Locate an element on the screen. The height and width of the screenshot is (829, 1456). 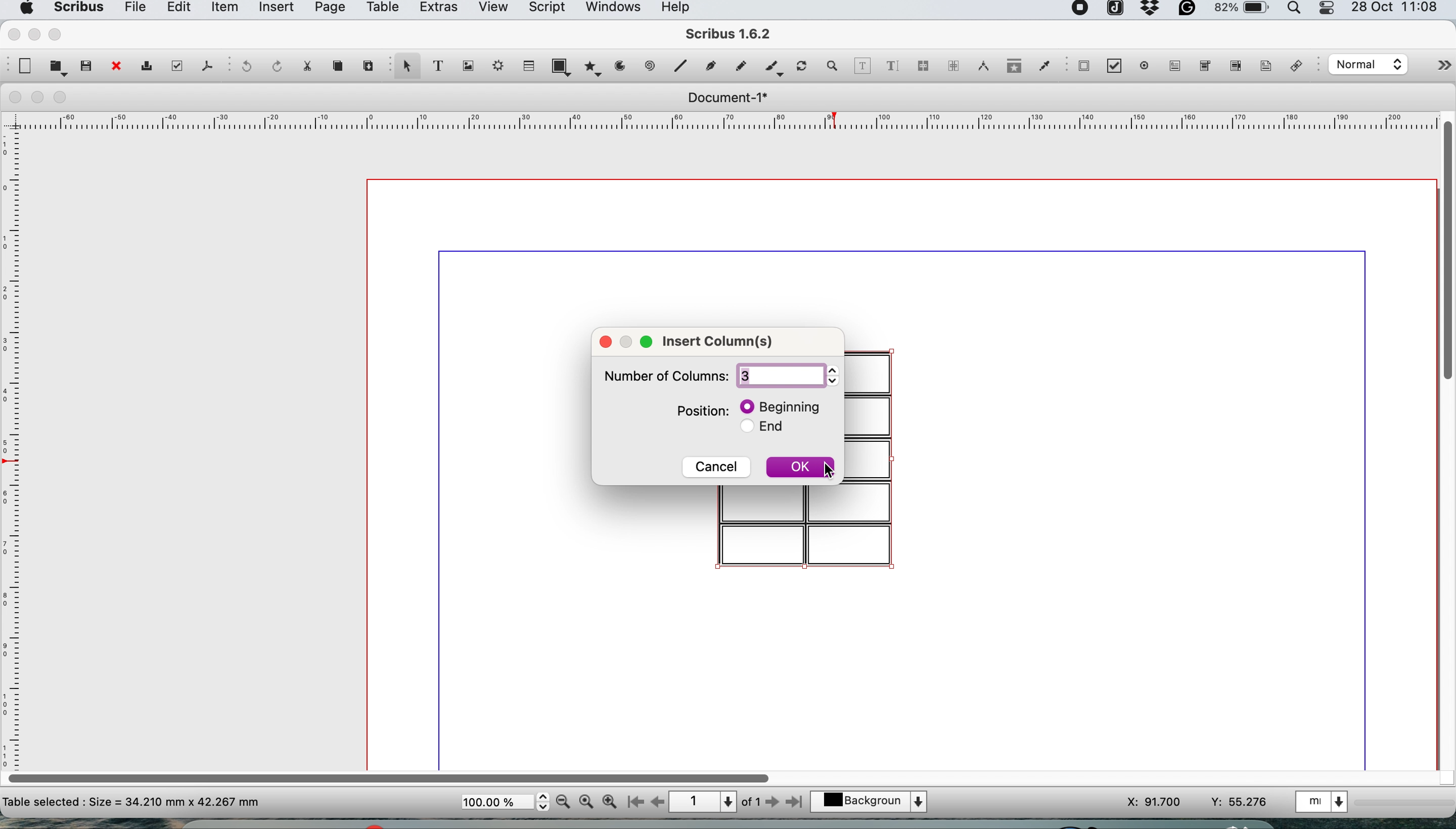
close is located at coordinates (13, 97).